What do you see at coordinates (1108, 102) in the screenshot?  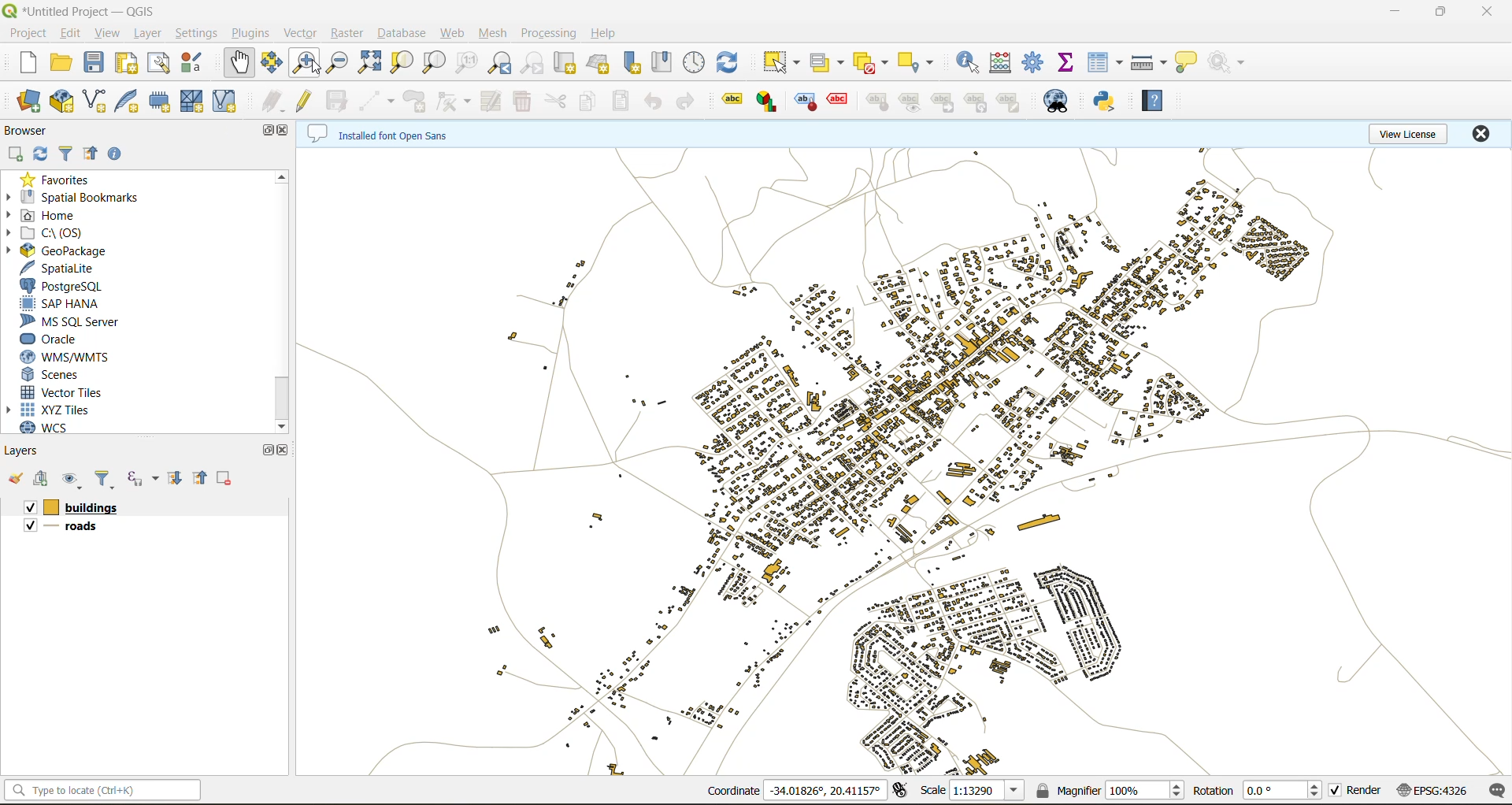 I see `python` at bounding box center [1108, 102].